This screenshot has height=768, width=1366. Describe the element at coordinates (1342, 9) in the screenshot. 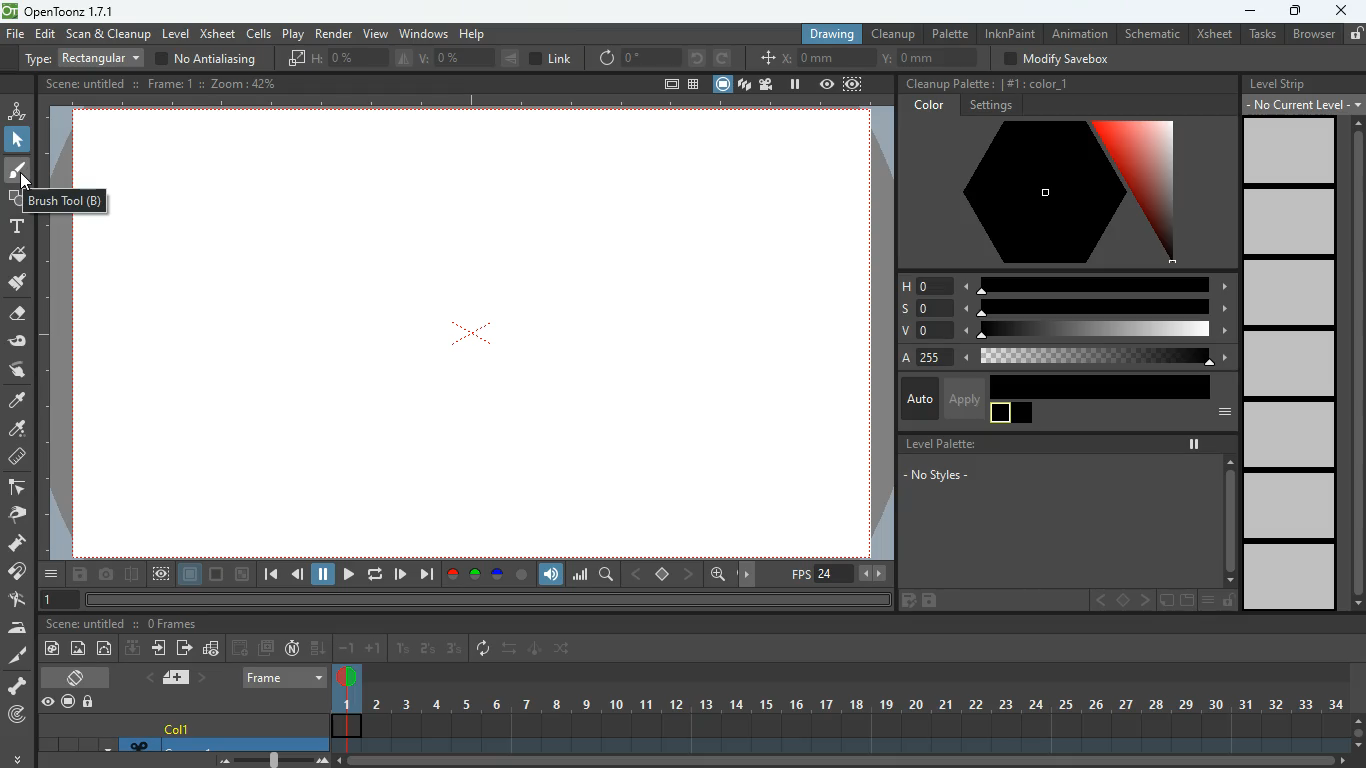

I see `close` at that location.